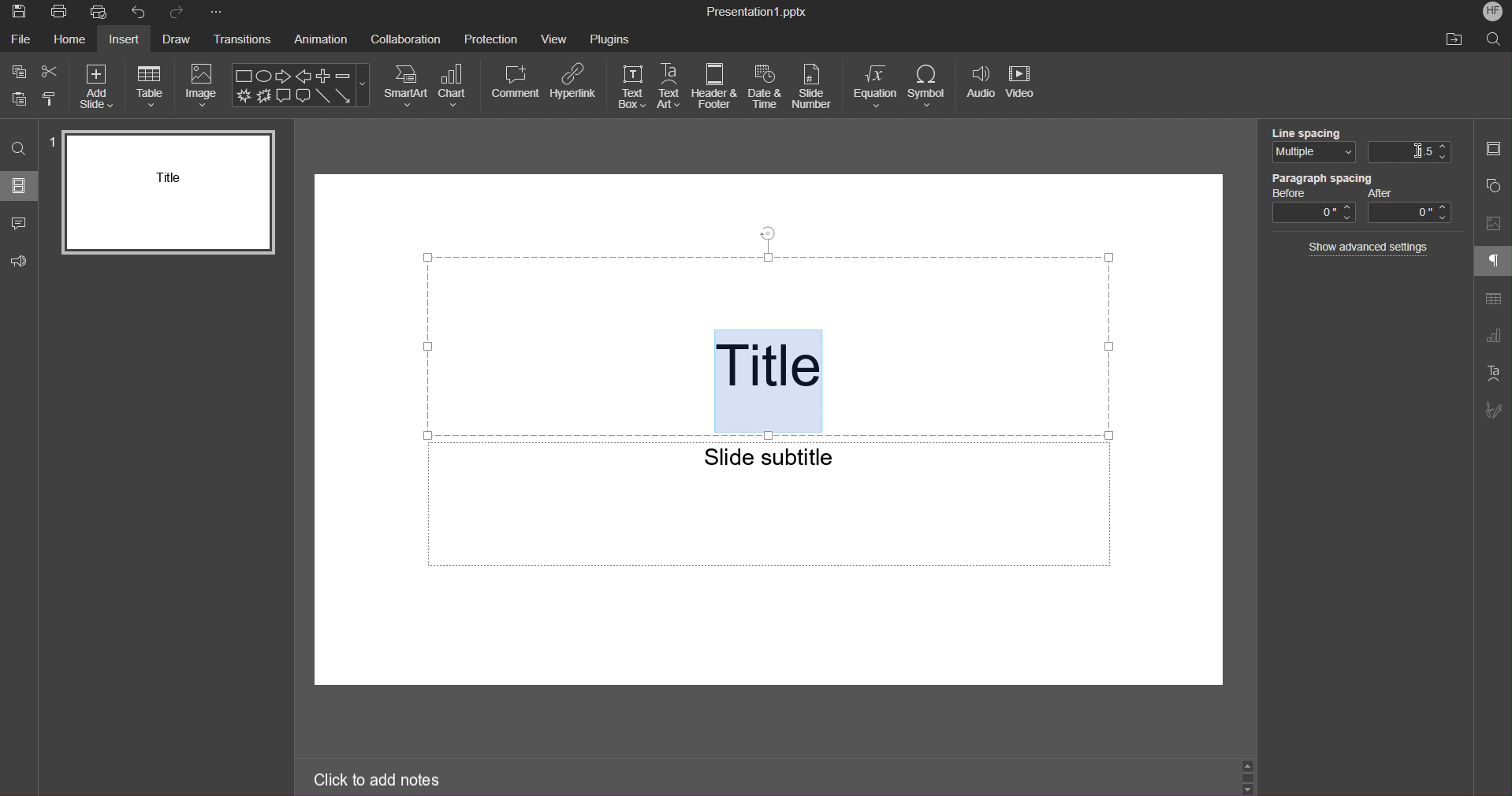 This screenshot has height=796, width=1512. Describe the element at coordinates (50, 70) in the screenshot. I see `Cut` at that location.